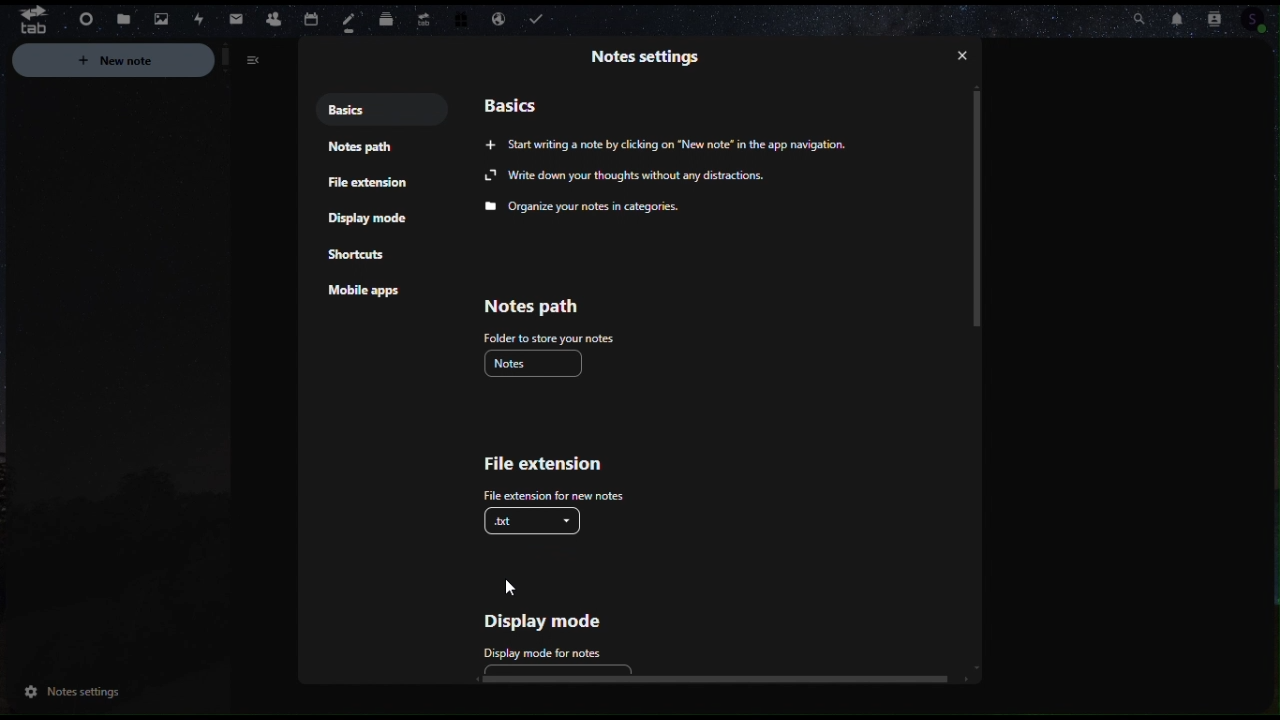 Image resolution: width=1280 pixels, height=720 pixels. I want to click on horizontal scroll bar, so click(714, 678).